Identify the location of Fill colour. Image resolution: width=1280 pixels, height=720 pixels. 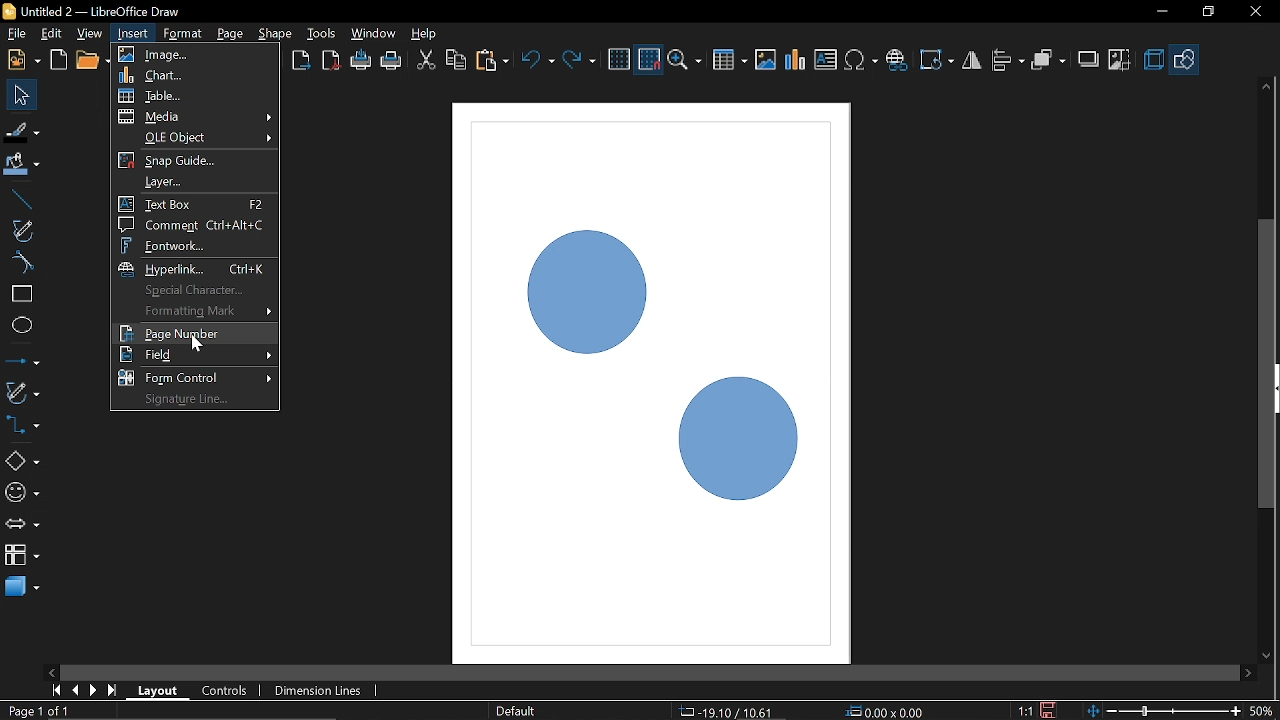
(22, 165).